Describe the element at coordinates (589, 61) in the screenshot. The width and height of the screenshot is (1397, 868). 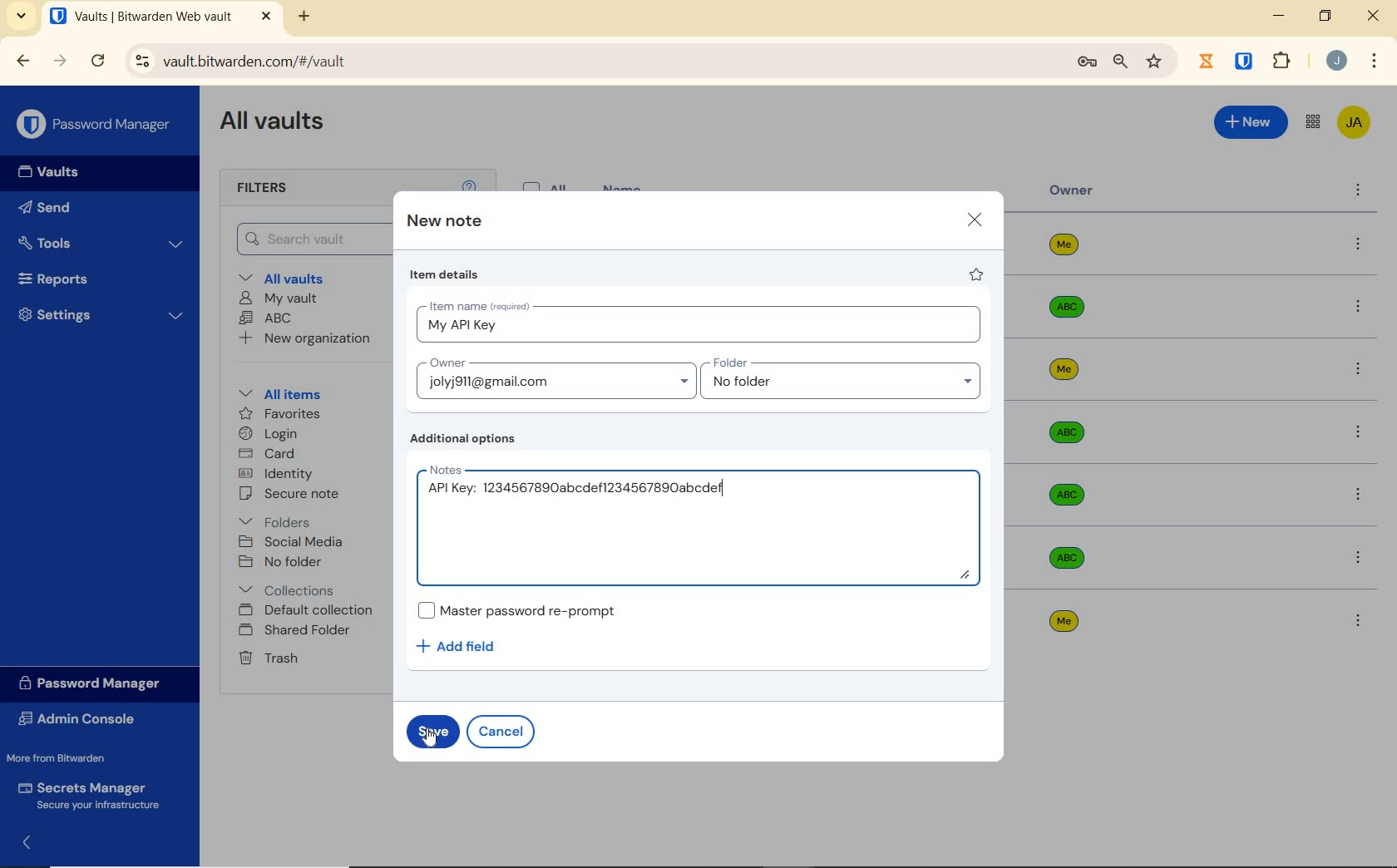
I see `address bar` at that location.